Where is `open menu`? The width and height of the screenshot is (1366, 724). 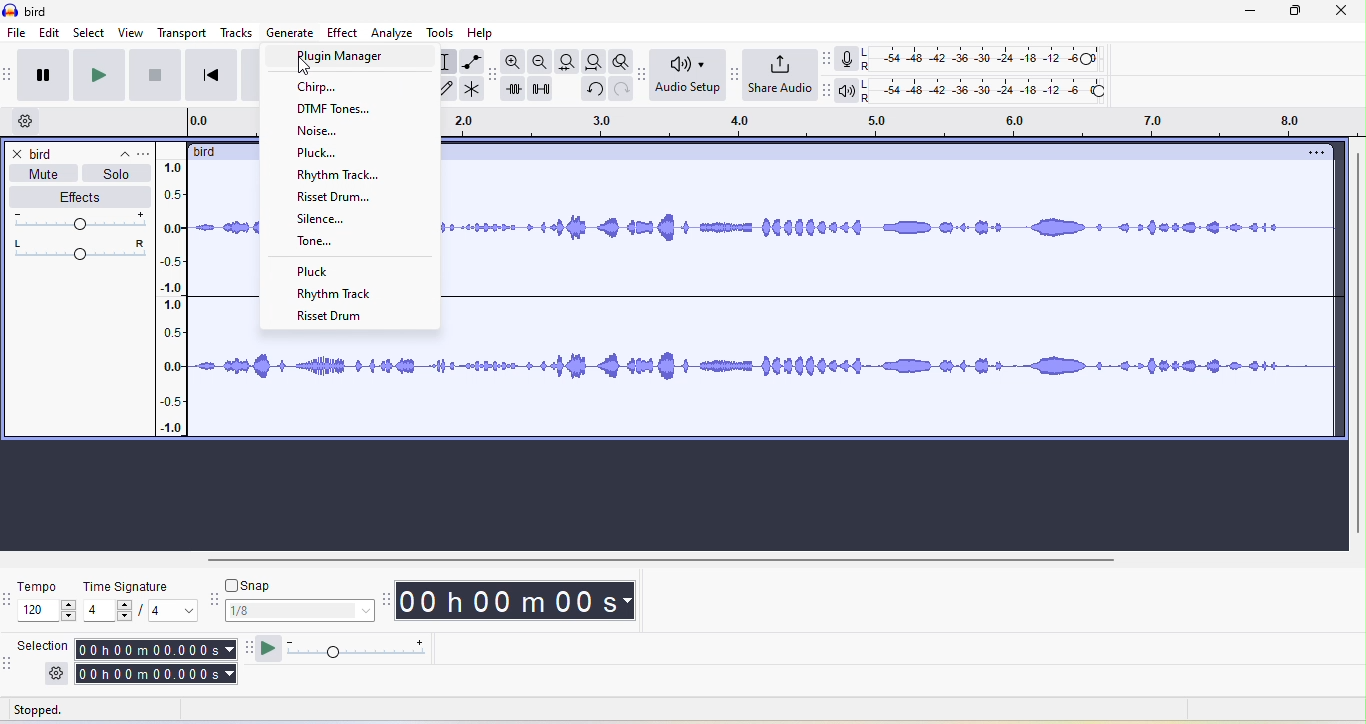
open menu is located at coordinates (144, 153).